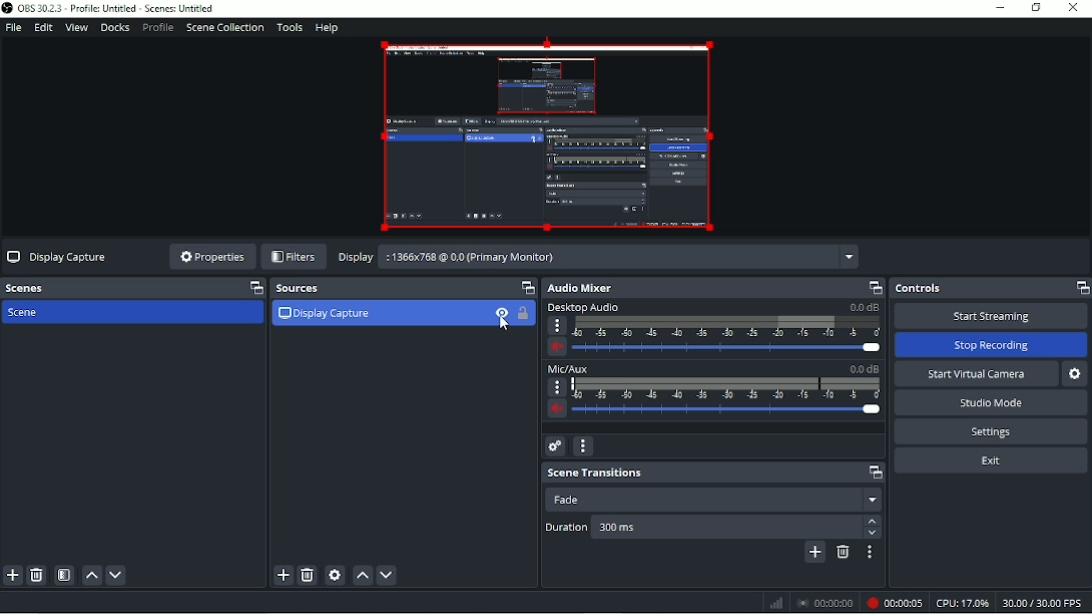 The height and width of the screenshot is (614, 1092). What do you see at coordinates (37, 576) in the screenshot?
I see `Remove selected scene` at bounding box center [37, 576].